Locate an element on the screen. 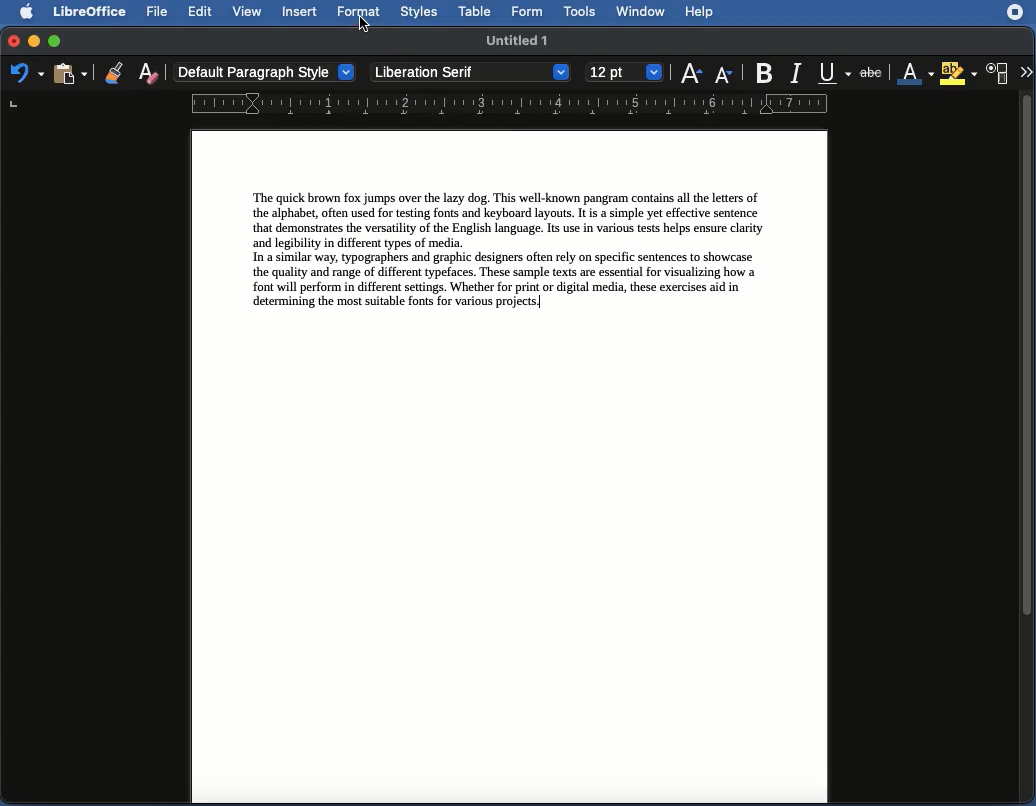 This screenshot has width=1036, height=806. Table is located at coordinates (475, 12).